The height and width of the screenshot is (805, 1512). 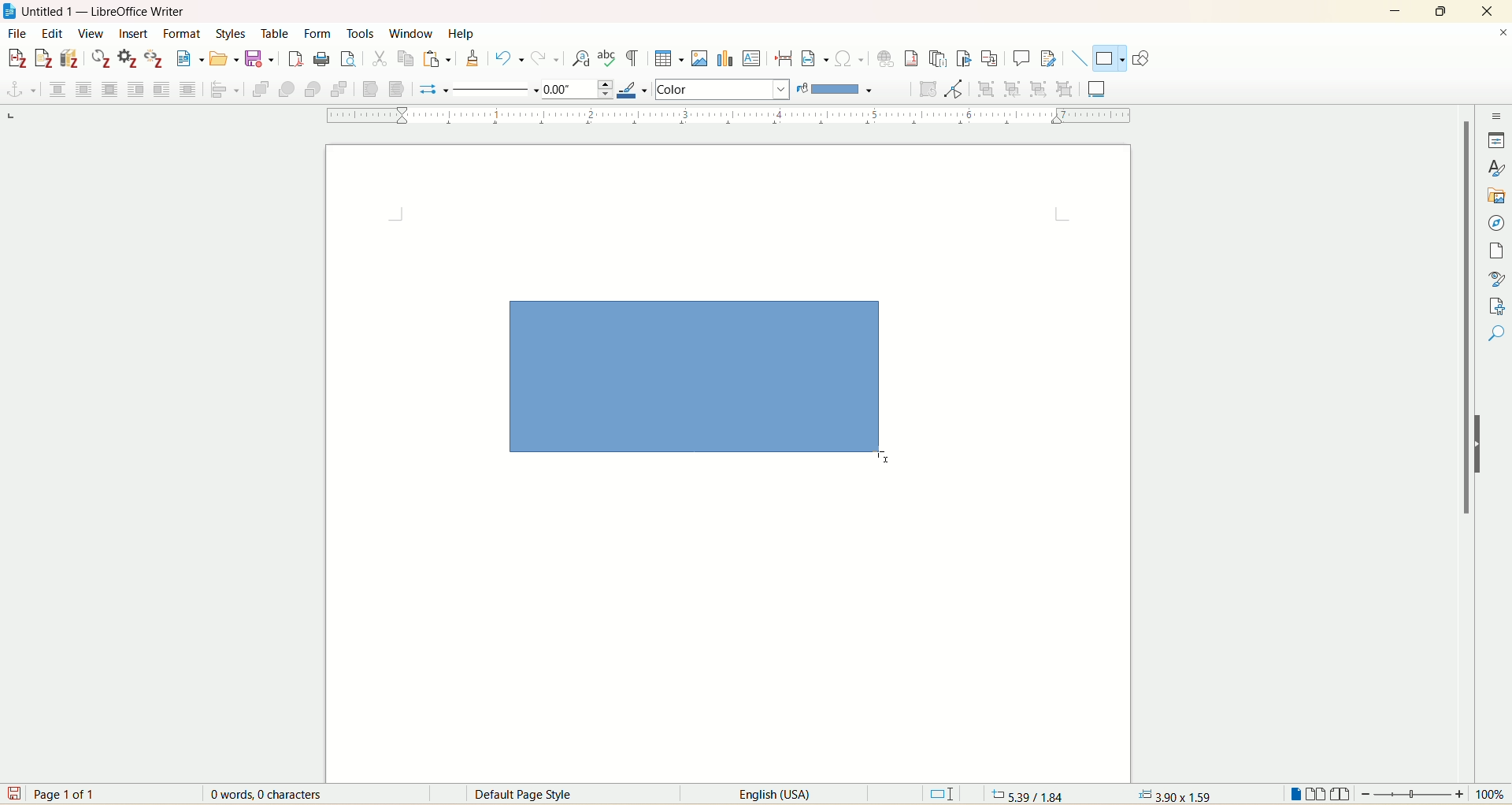 I want to click on manage changes, so click(x=1498, y=305).